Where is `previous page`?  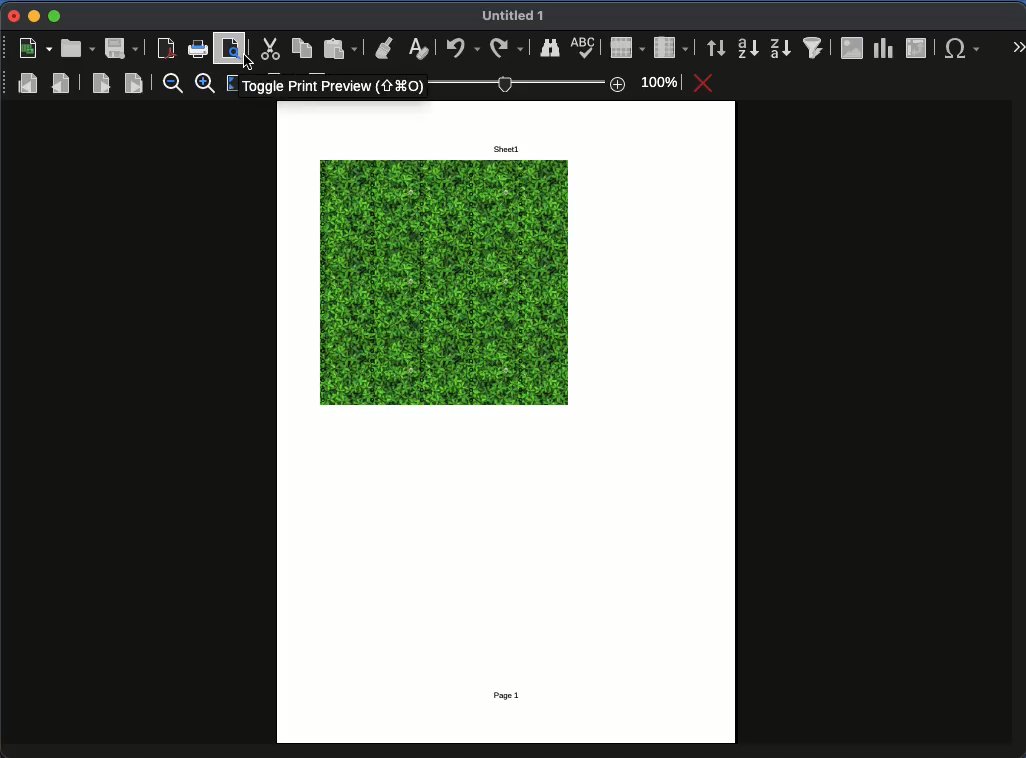 previous page is located at coordinates (62, 82).